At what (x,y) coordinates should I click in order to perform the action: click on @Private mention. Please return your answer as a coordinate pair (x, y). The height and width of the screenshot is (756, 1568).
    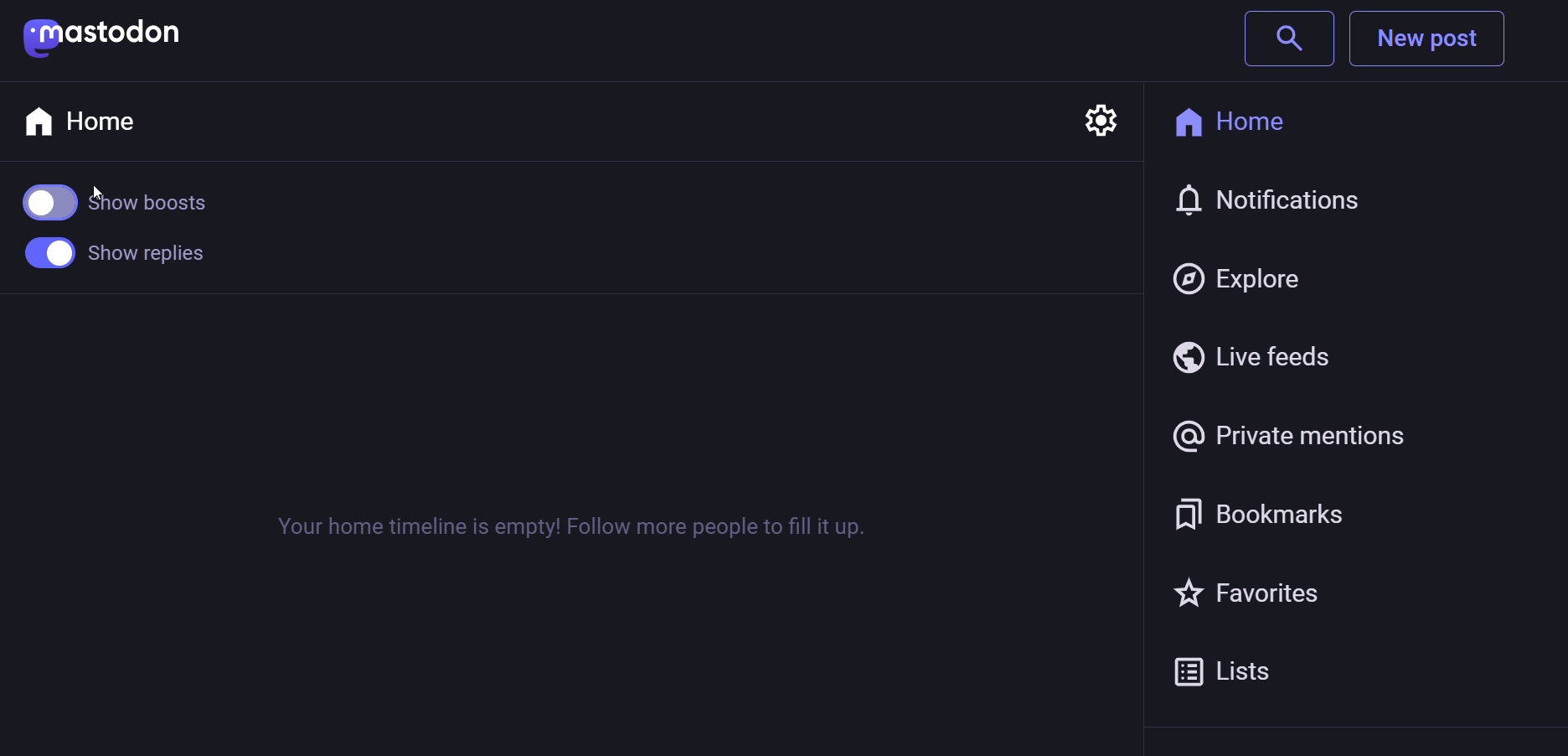
    Looking at the image, I should click on (1332, 437).